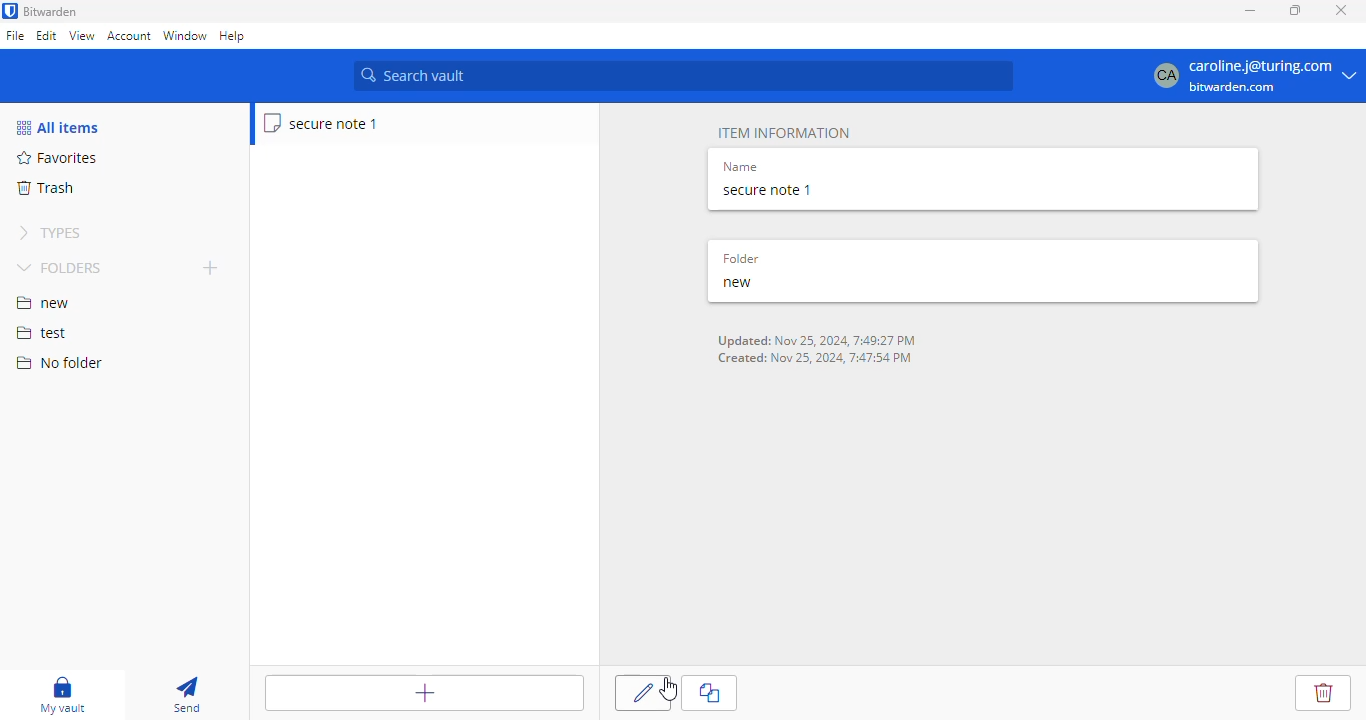 The height and width of the screenshot is (720, 1366). Describe the element at coordinates (741, 258) in the screenshot. I see `folder` at that location.